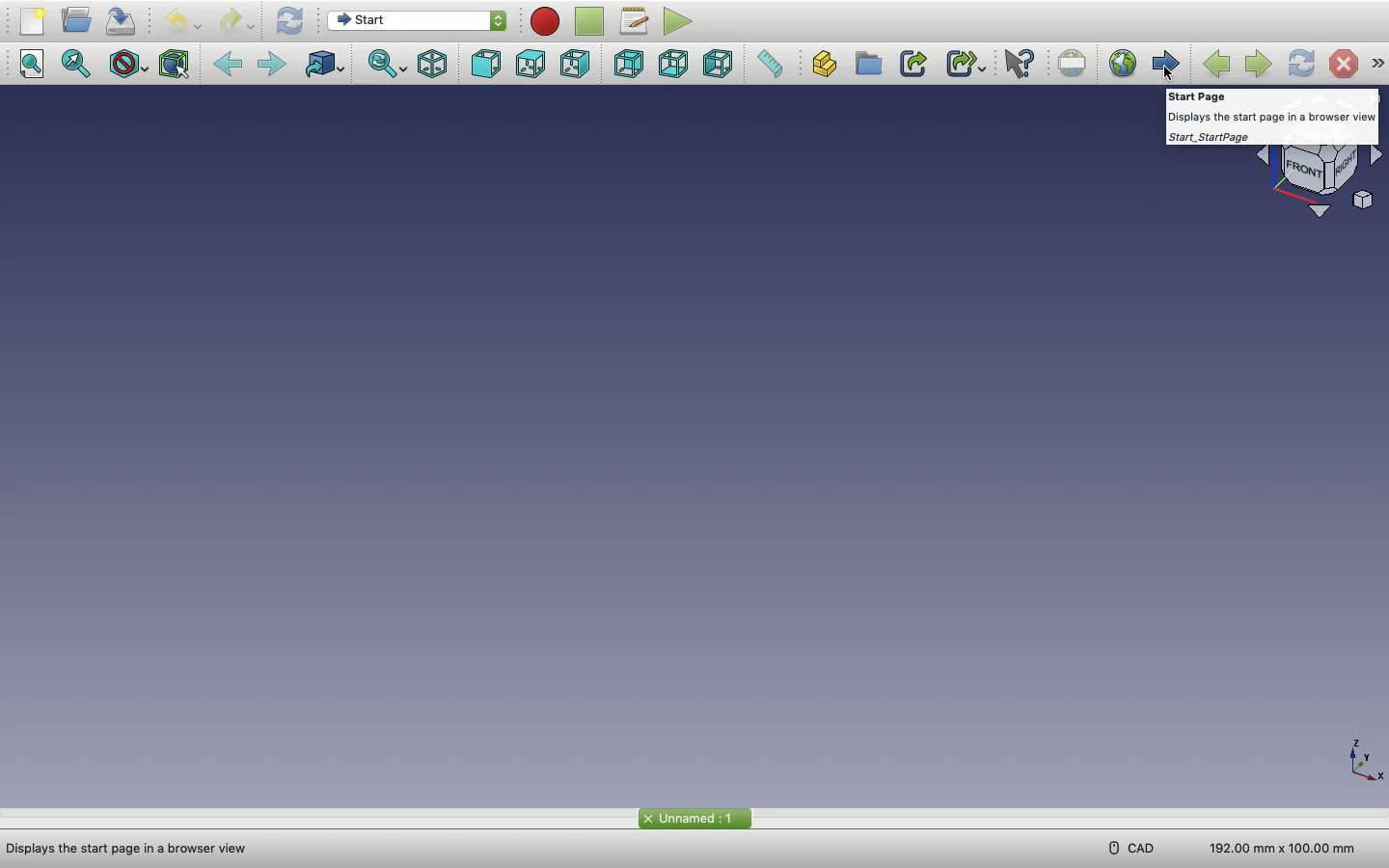 The height and width of the screenshot is (868, 1389). What do you see at coordinates (1129, 848) in the screenshot?
I see `CAD menu` at bounding box center [1129, 848].